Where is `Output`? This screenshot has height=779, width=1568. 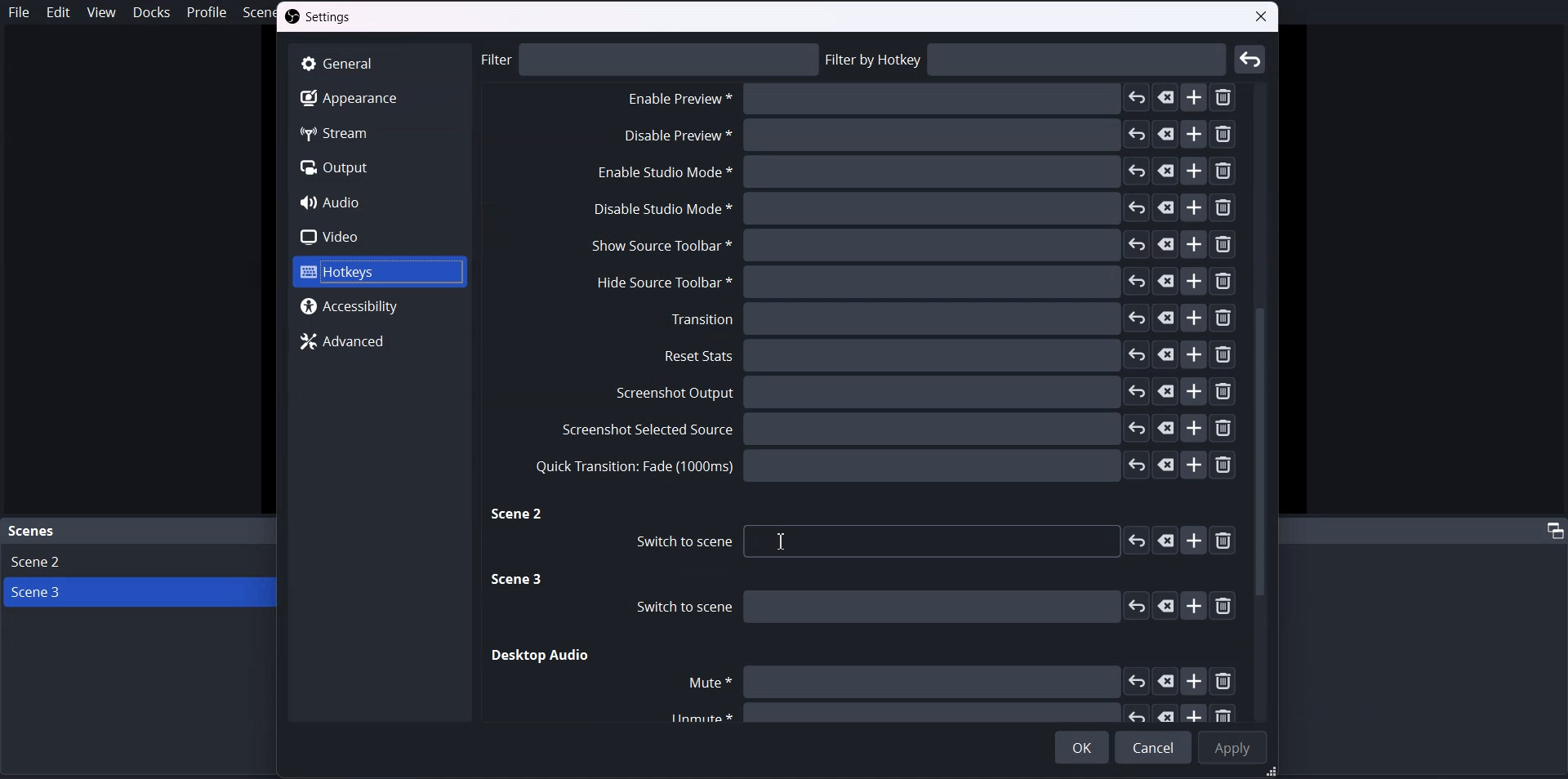
Output is located at coordinates (379, 168).